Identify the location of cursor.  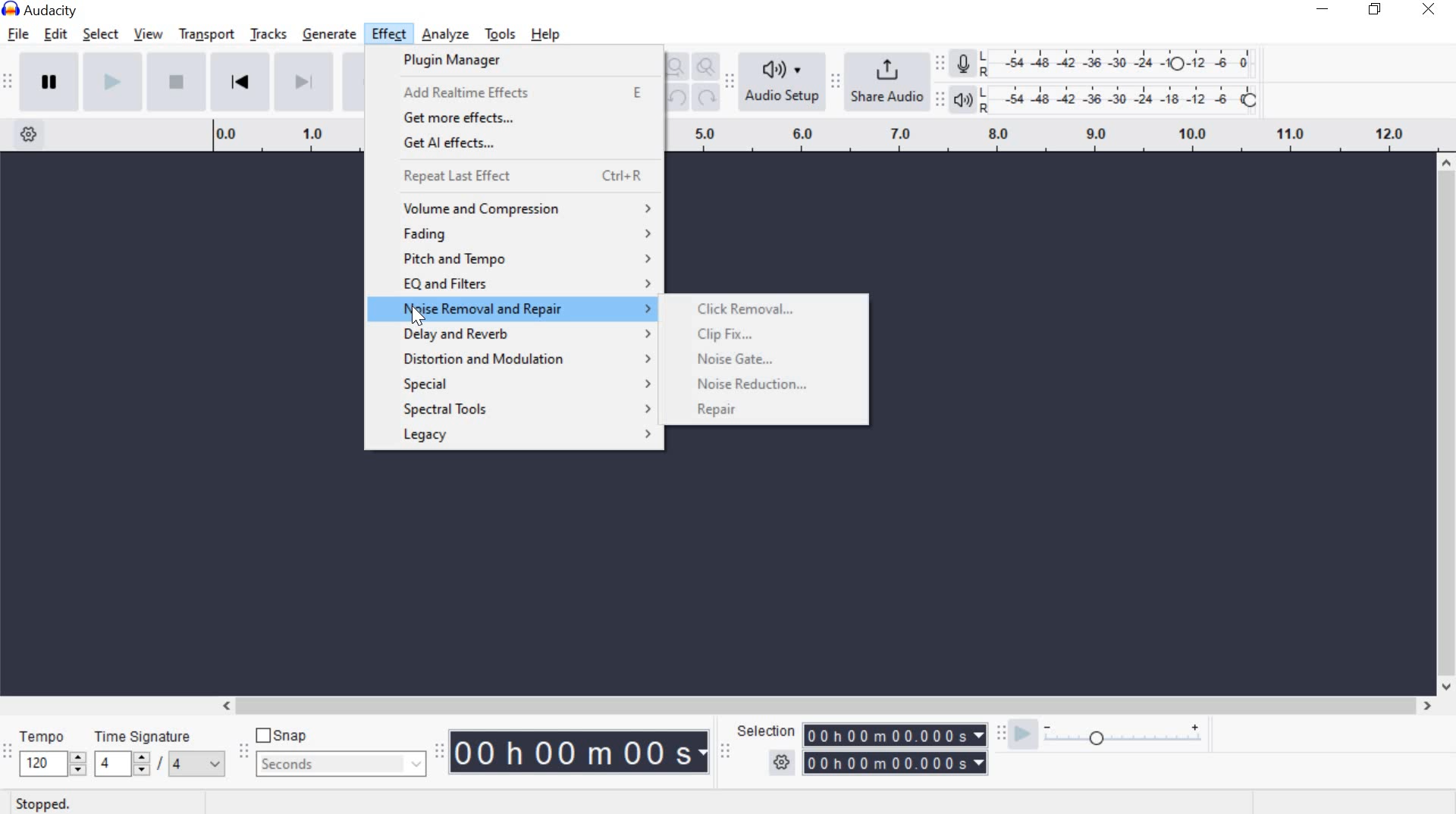
(417, 315).